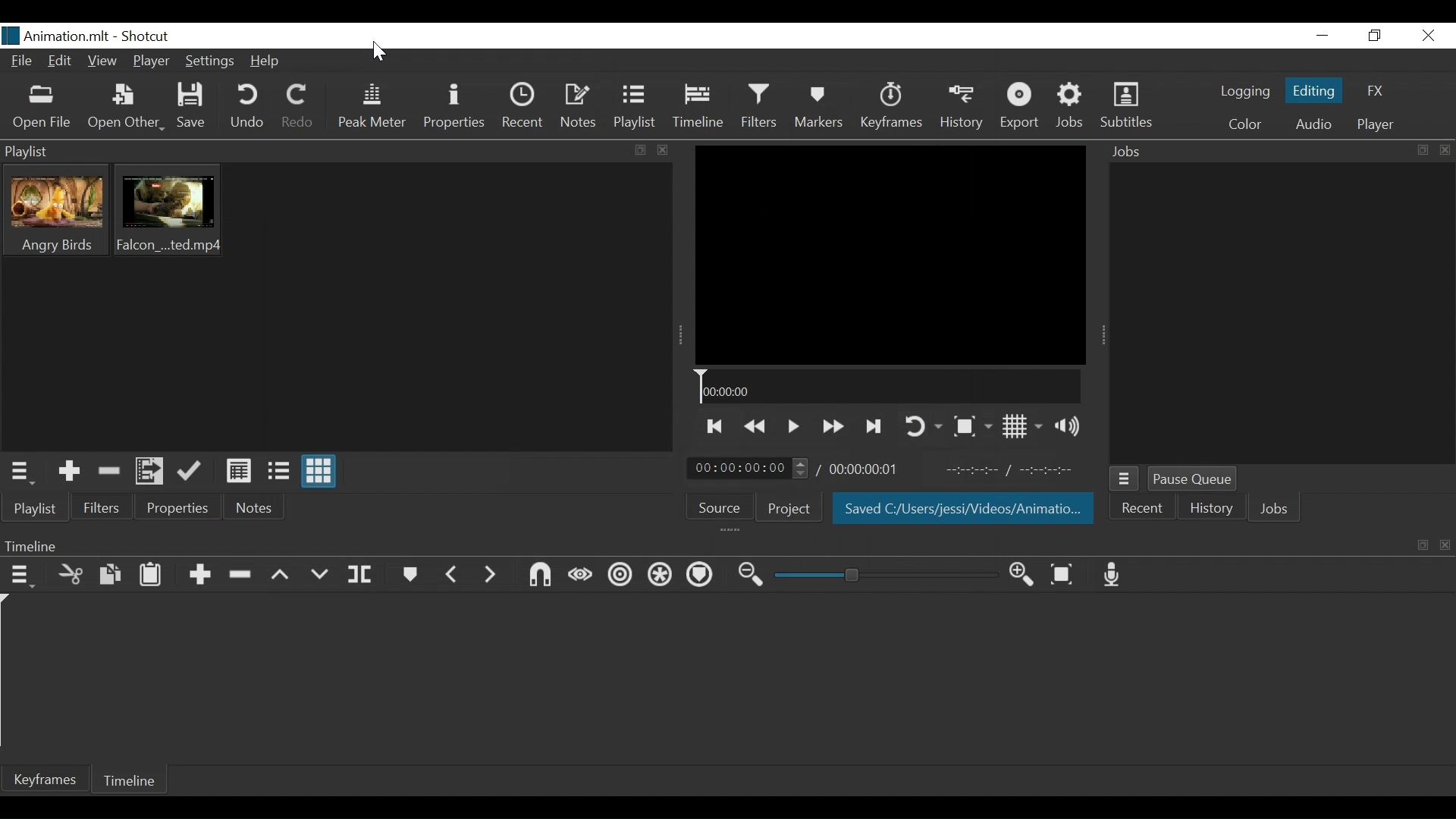  What do you see at coordinates (962, 510) in the screenshot?
I see `Saved Path` at bounding box center [962, 510].